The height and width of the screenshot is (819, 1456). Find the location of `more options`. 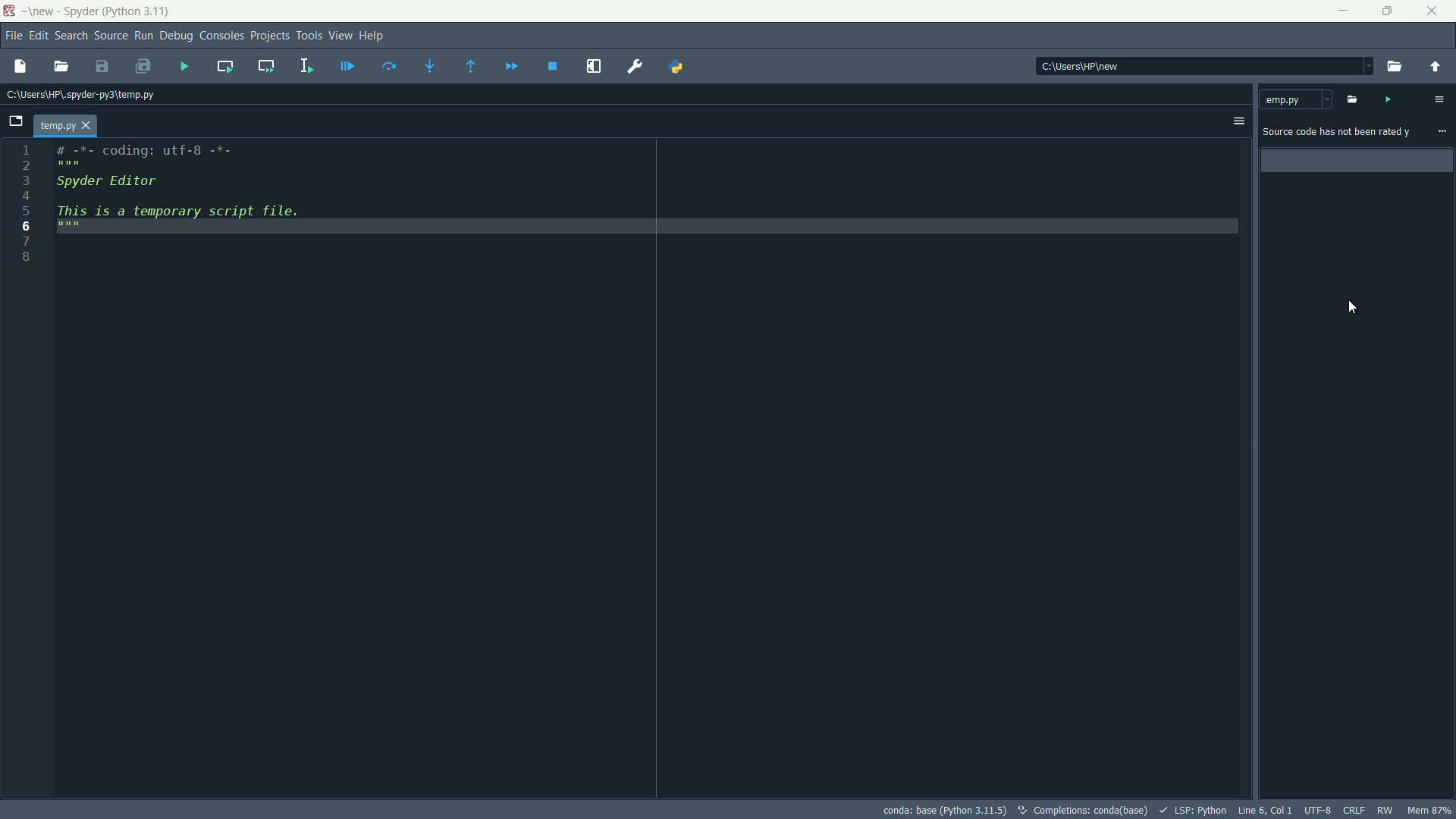

more options is located at coordinates (1439, 99).